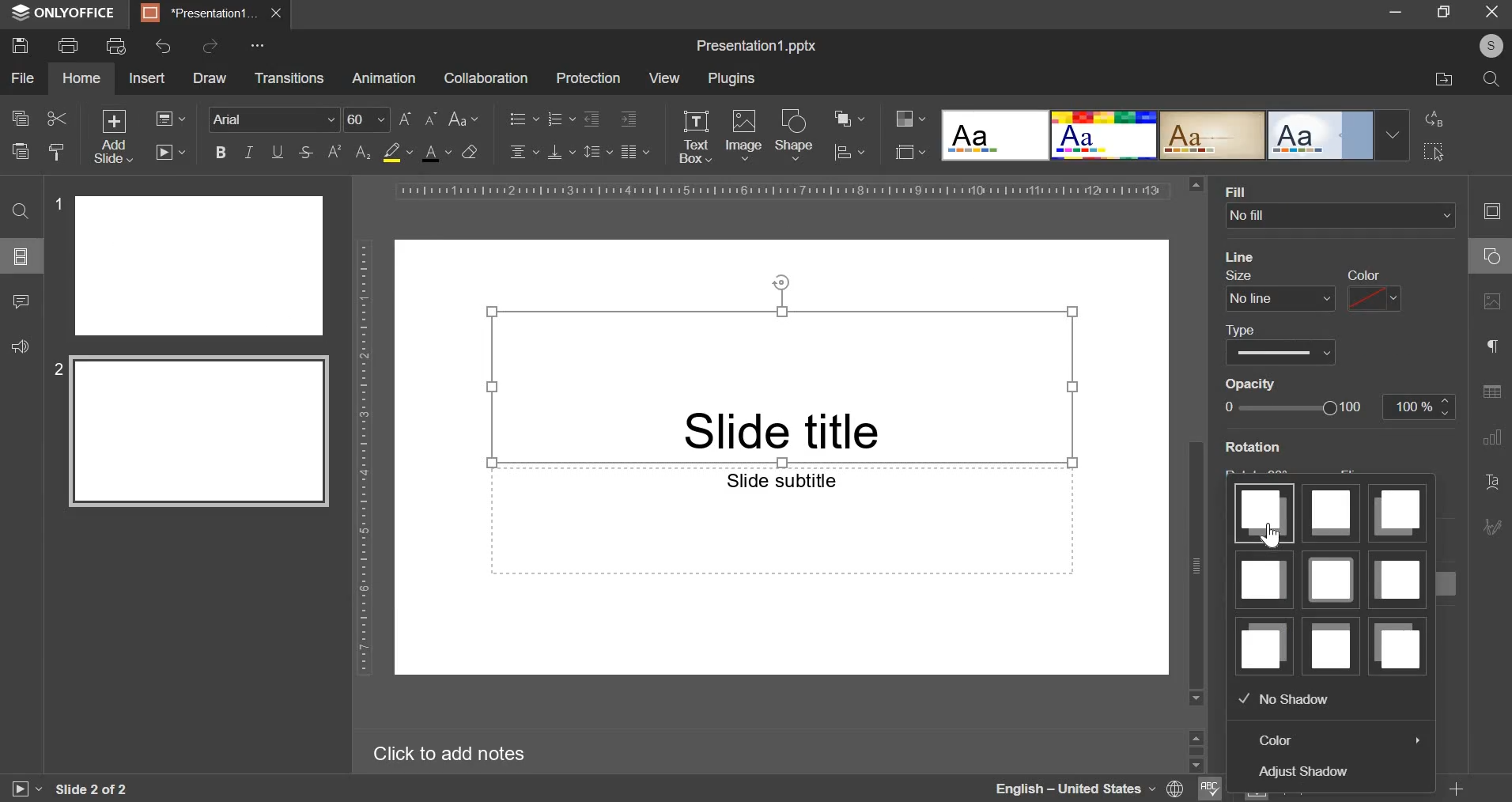 This screenshot has width=1512, height=802. I want to click on copy, so click(20, 119).